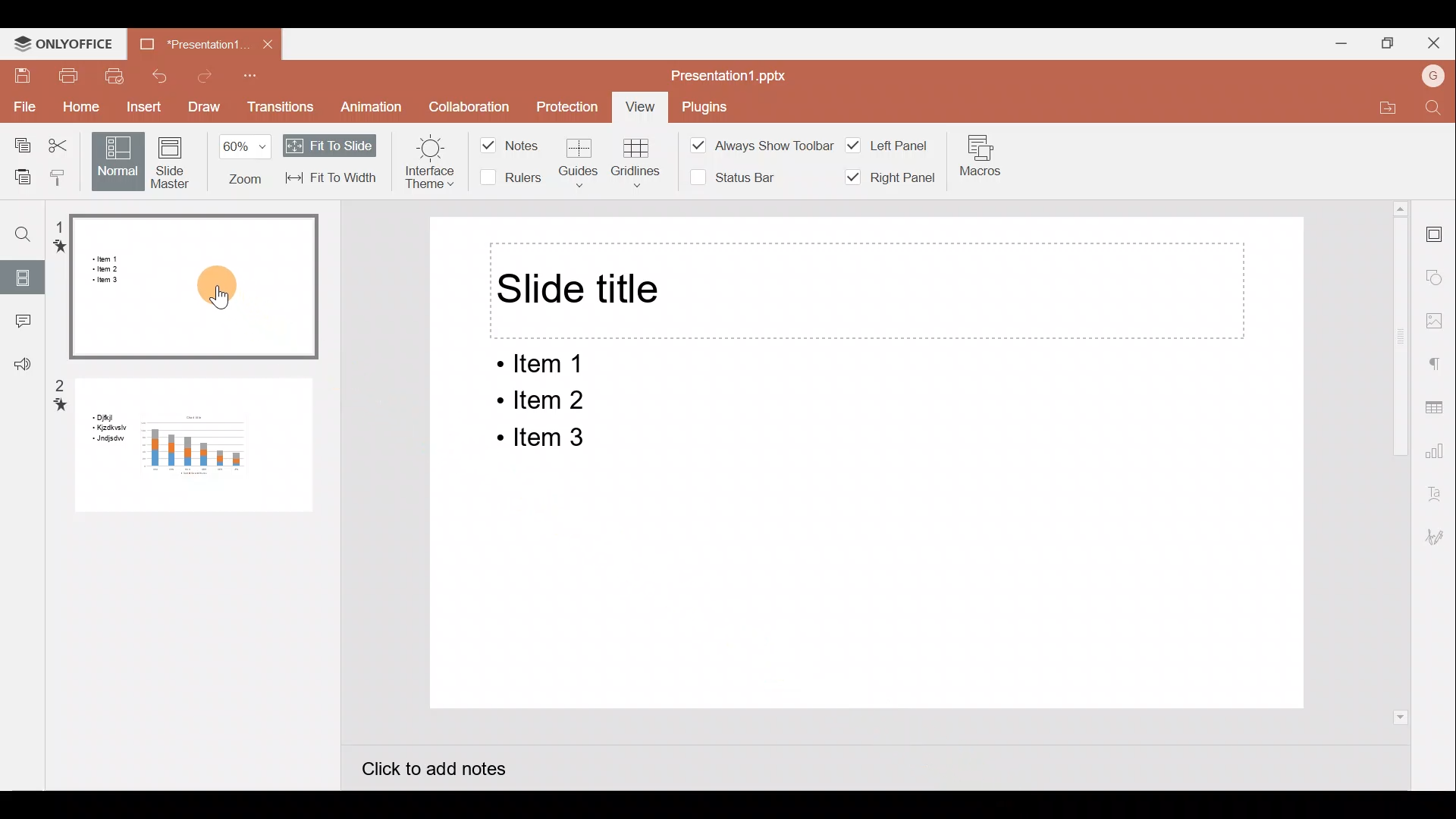 The height and width of the screenshot is (819, 1456). Describe the element at coordinates (514, 177) in the screenshot. I see `Rulers` at that location.